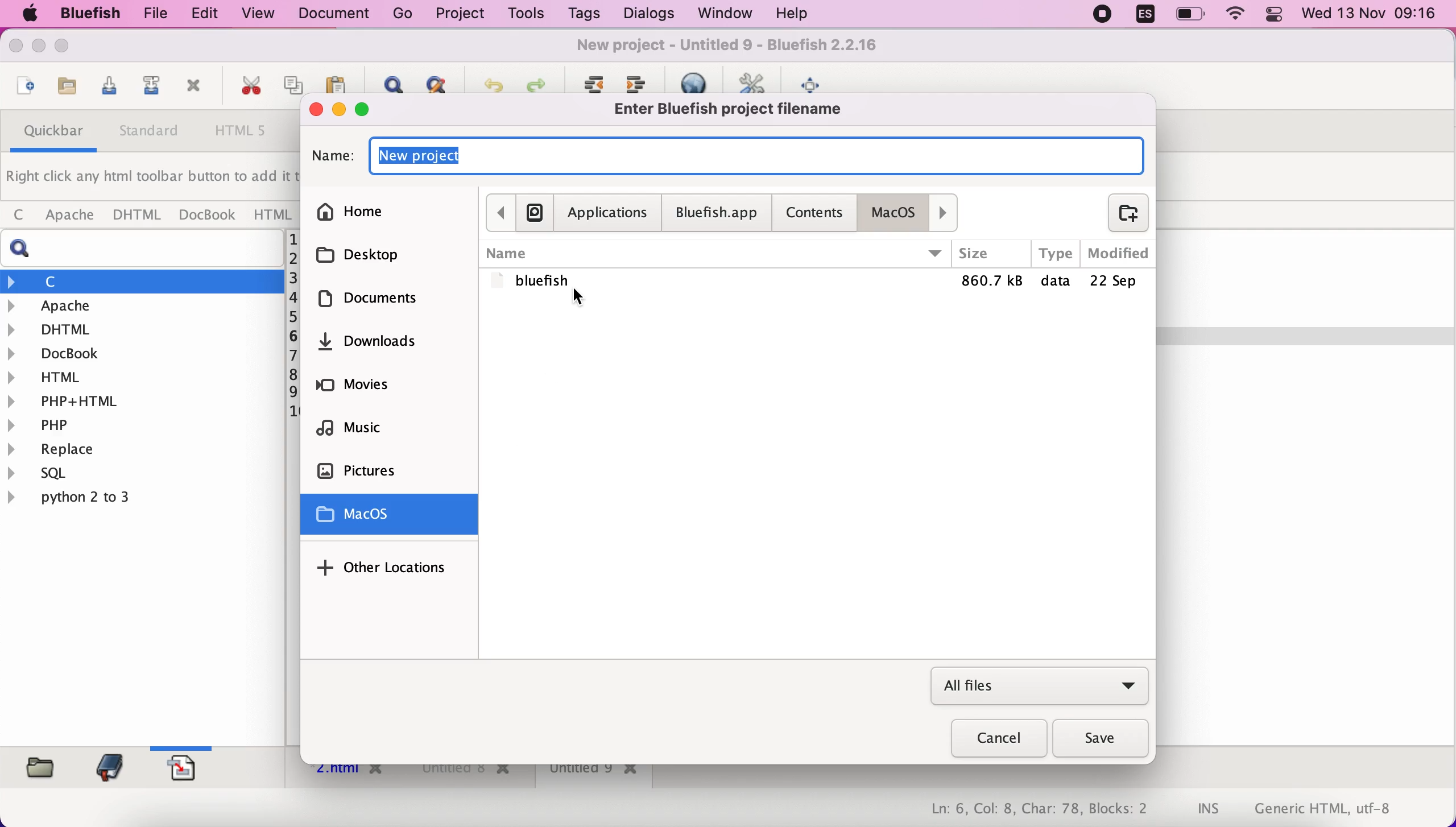 Image resolution: width=1456 pixels, height=827 pixels. What do you see at coordinates (1116, 254) in the screenshot?
I see `modified` at bounding box center [1116, 254].